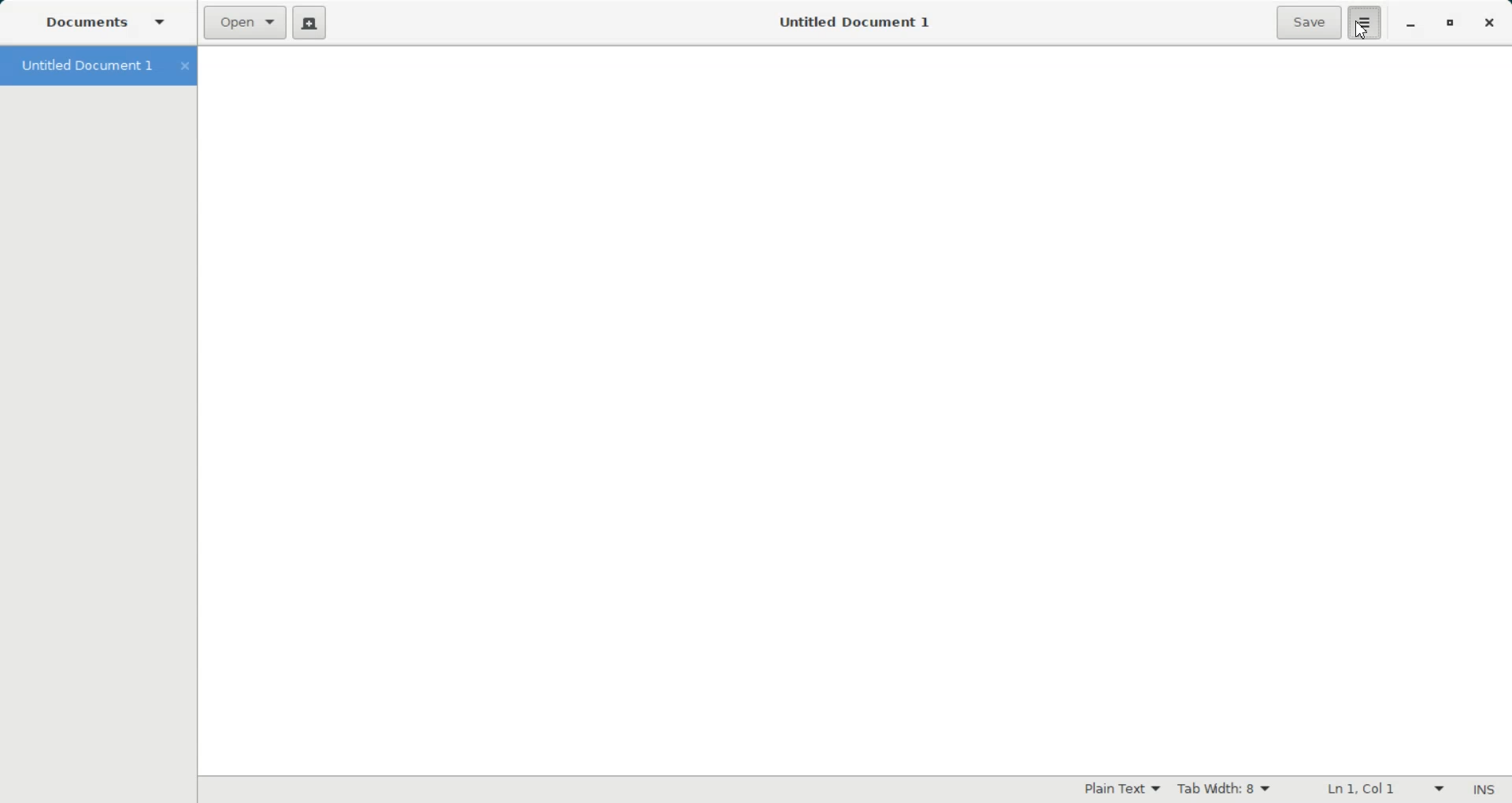 This screenshot has width=1512, height=803. What do you see at coordinates (1484, 789) in the screenshot?
I see `Insert` at bounding box center [1484, 789].